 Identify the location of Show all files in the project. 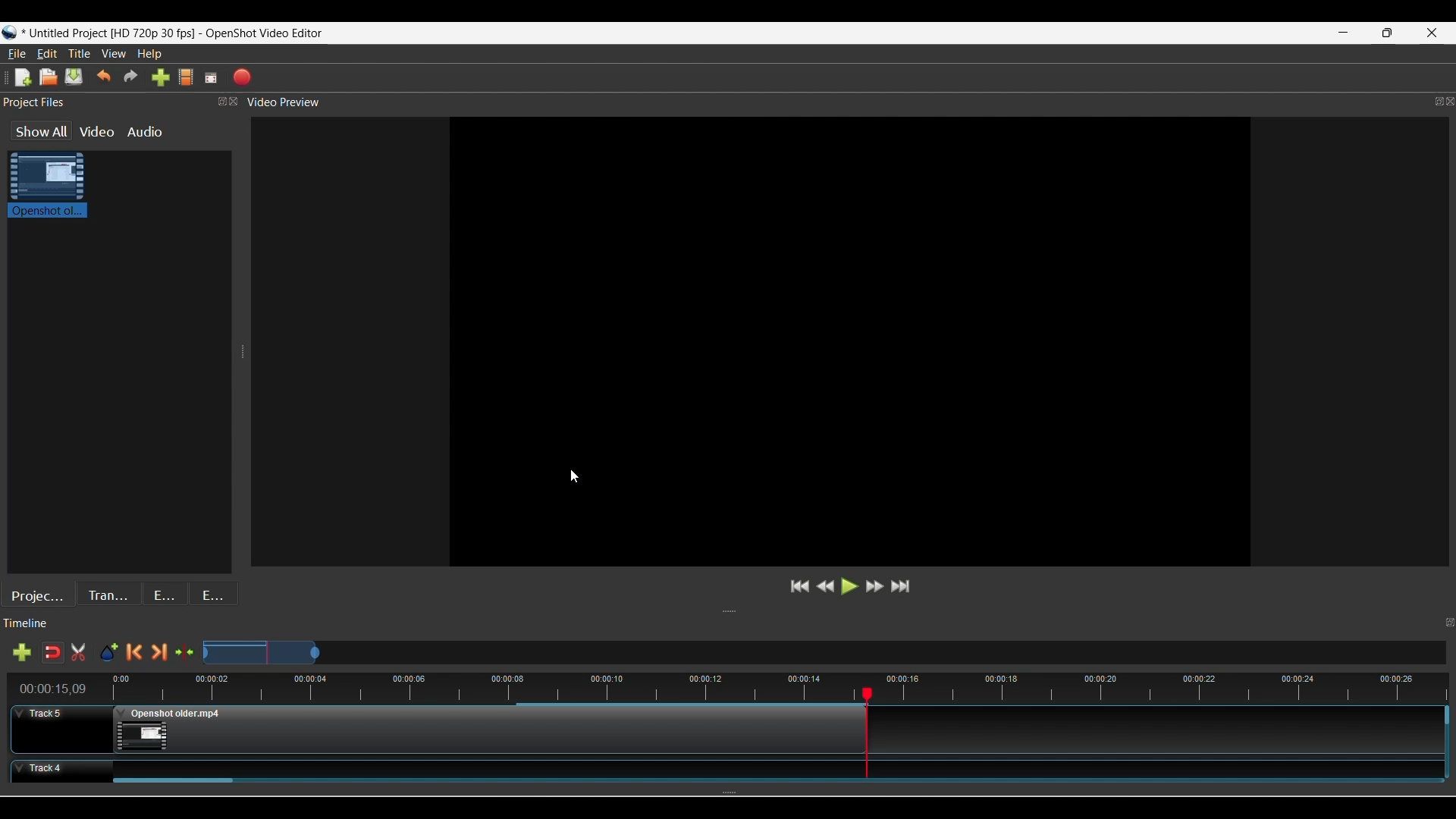
(41, 130).